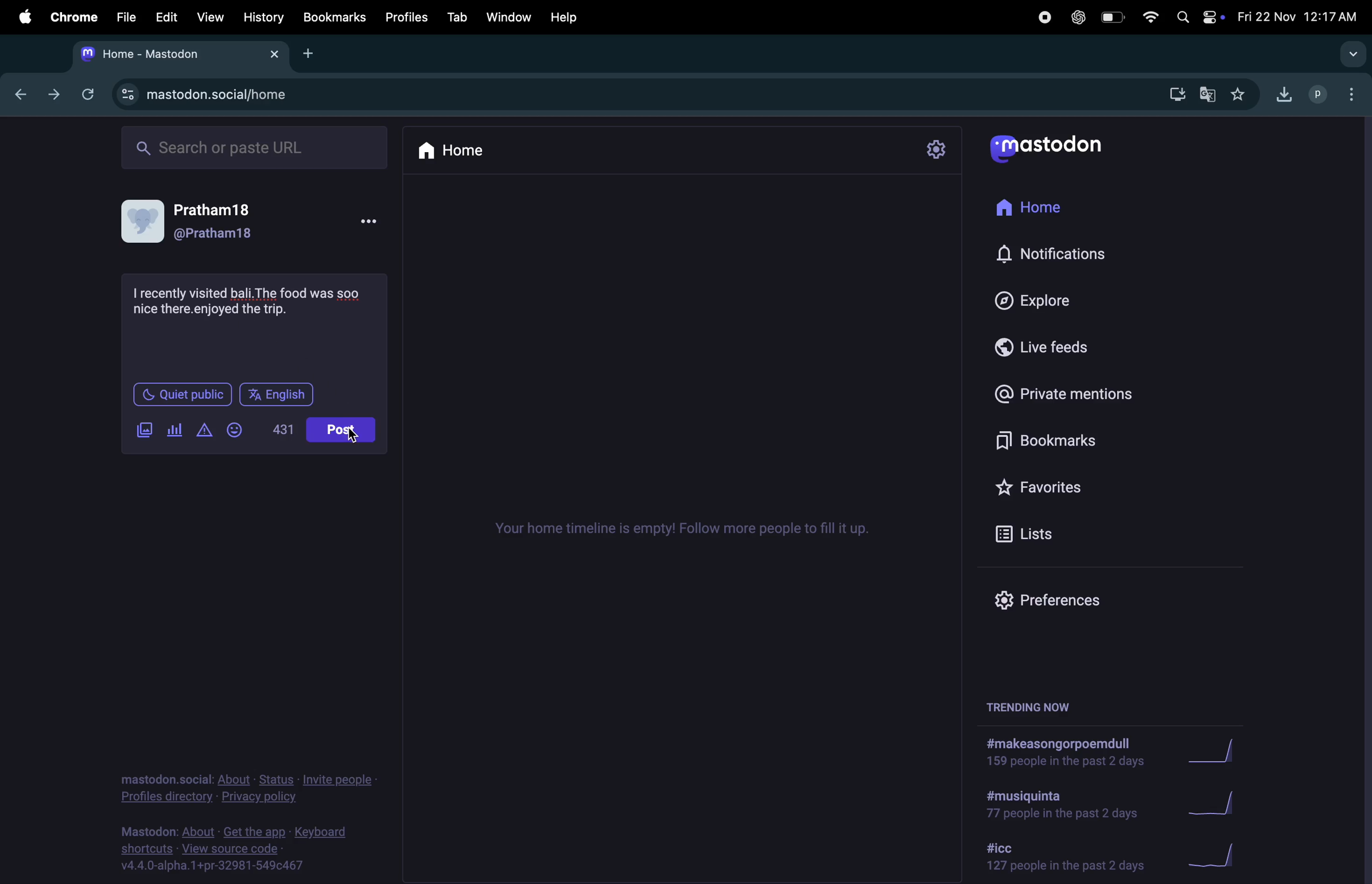 The image size is (1372, 884). Describe the element at coordinates (509, 14) in the screenshot. I see `window` at that location.